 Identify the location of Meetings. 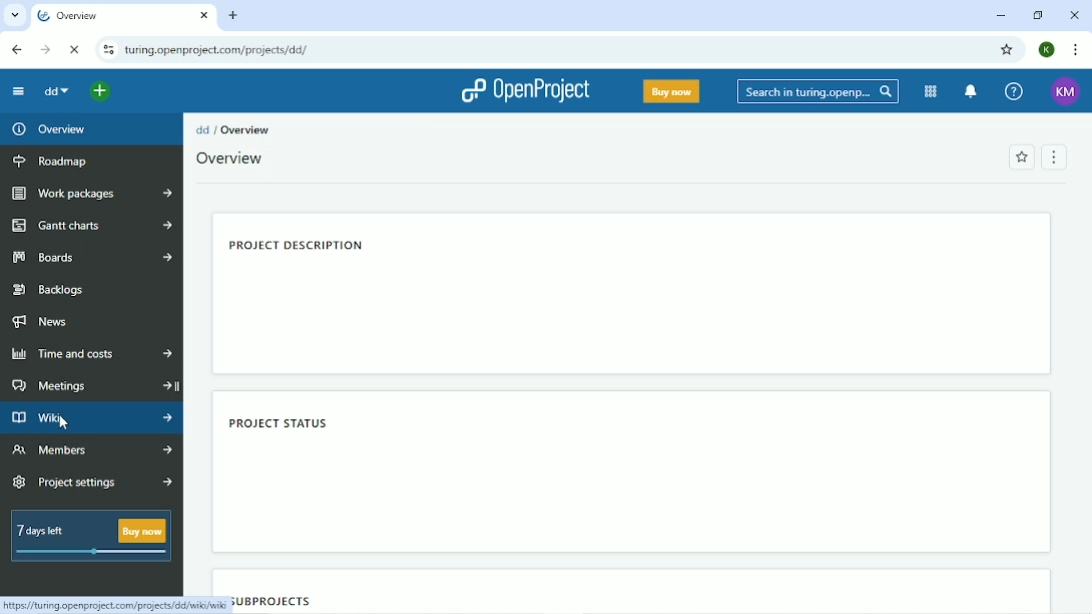
(92, 386).